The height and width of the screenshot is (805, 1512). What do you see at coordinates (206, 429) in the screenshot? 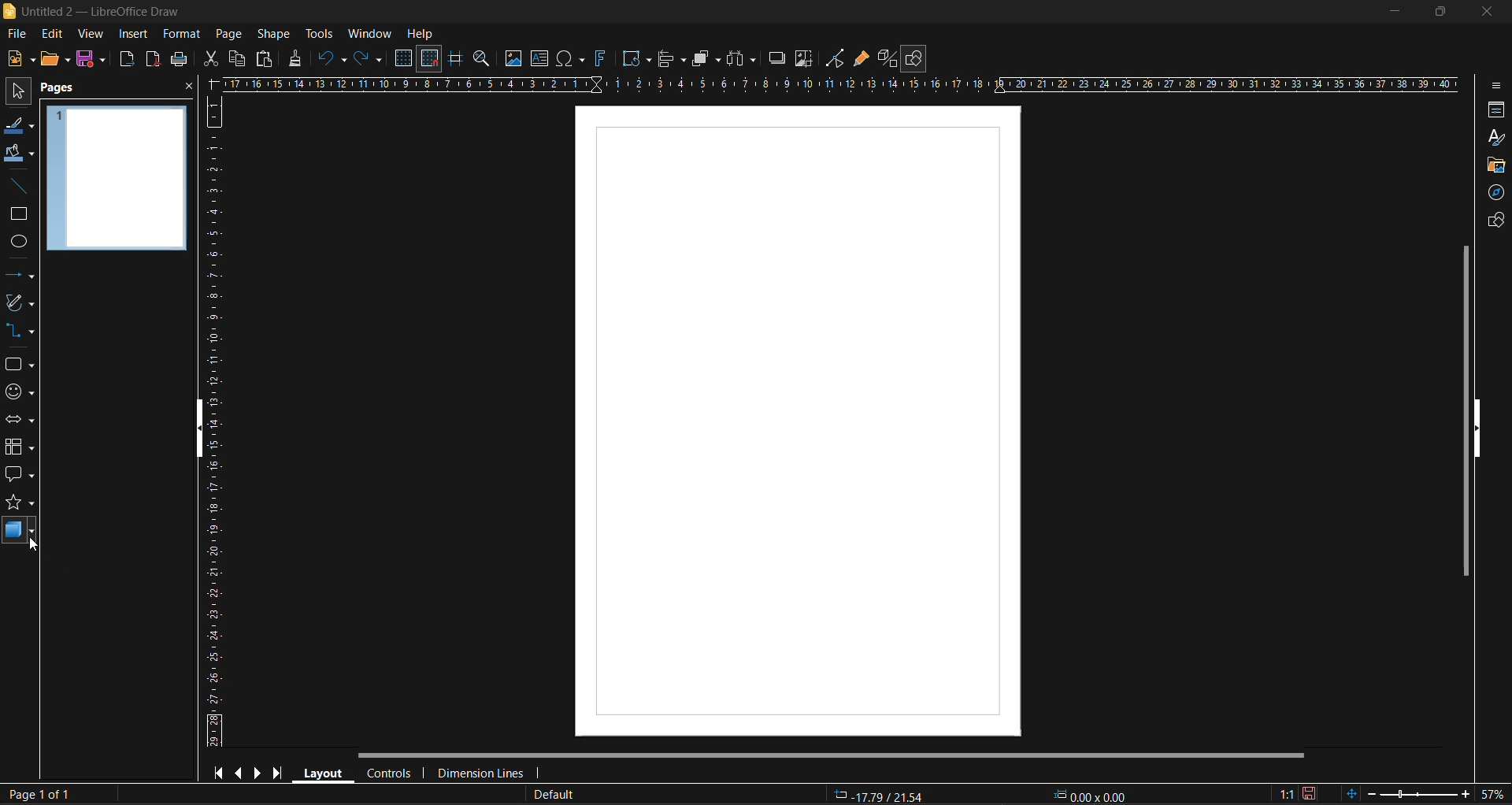
I see `hide` at bounding box center [206, 429].